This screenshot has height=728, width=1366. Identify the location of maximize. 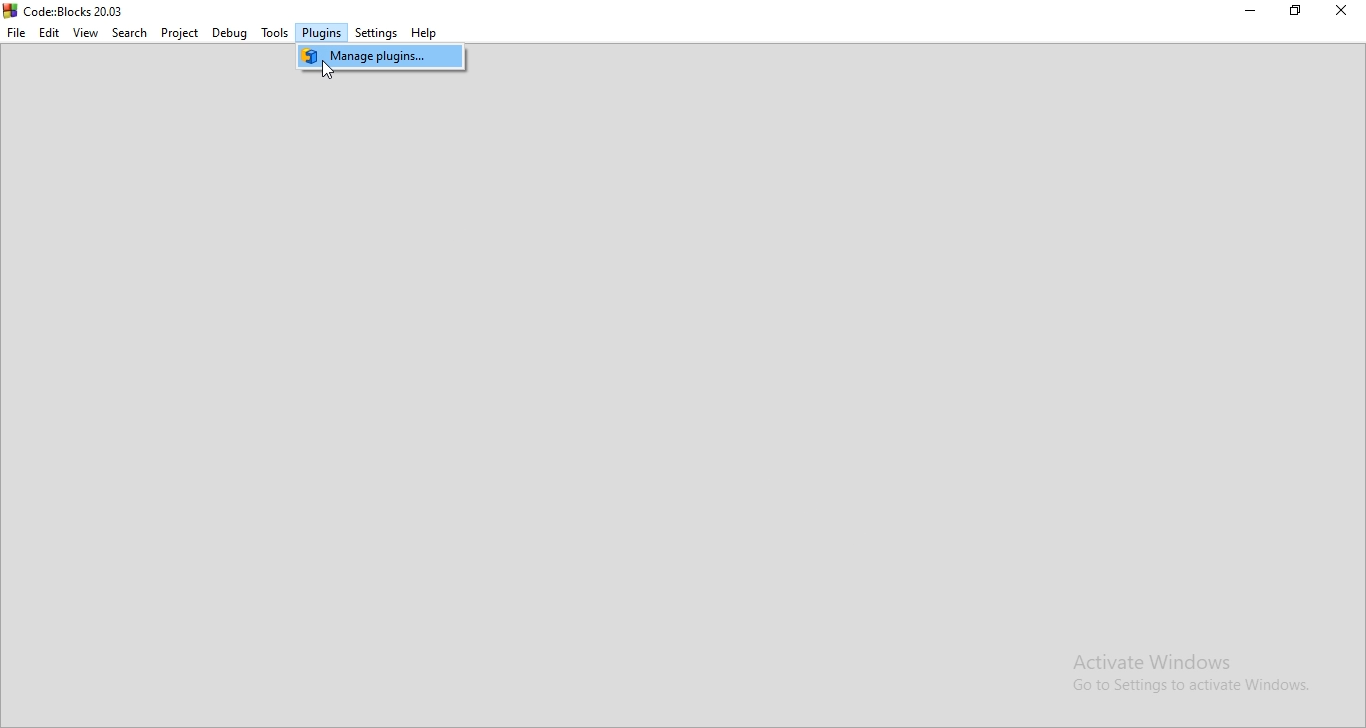
(1295, 10).